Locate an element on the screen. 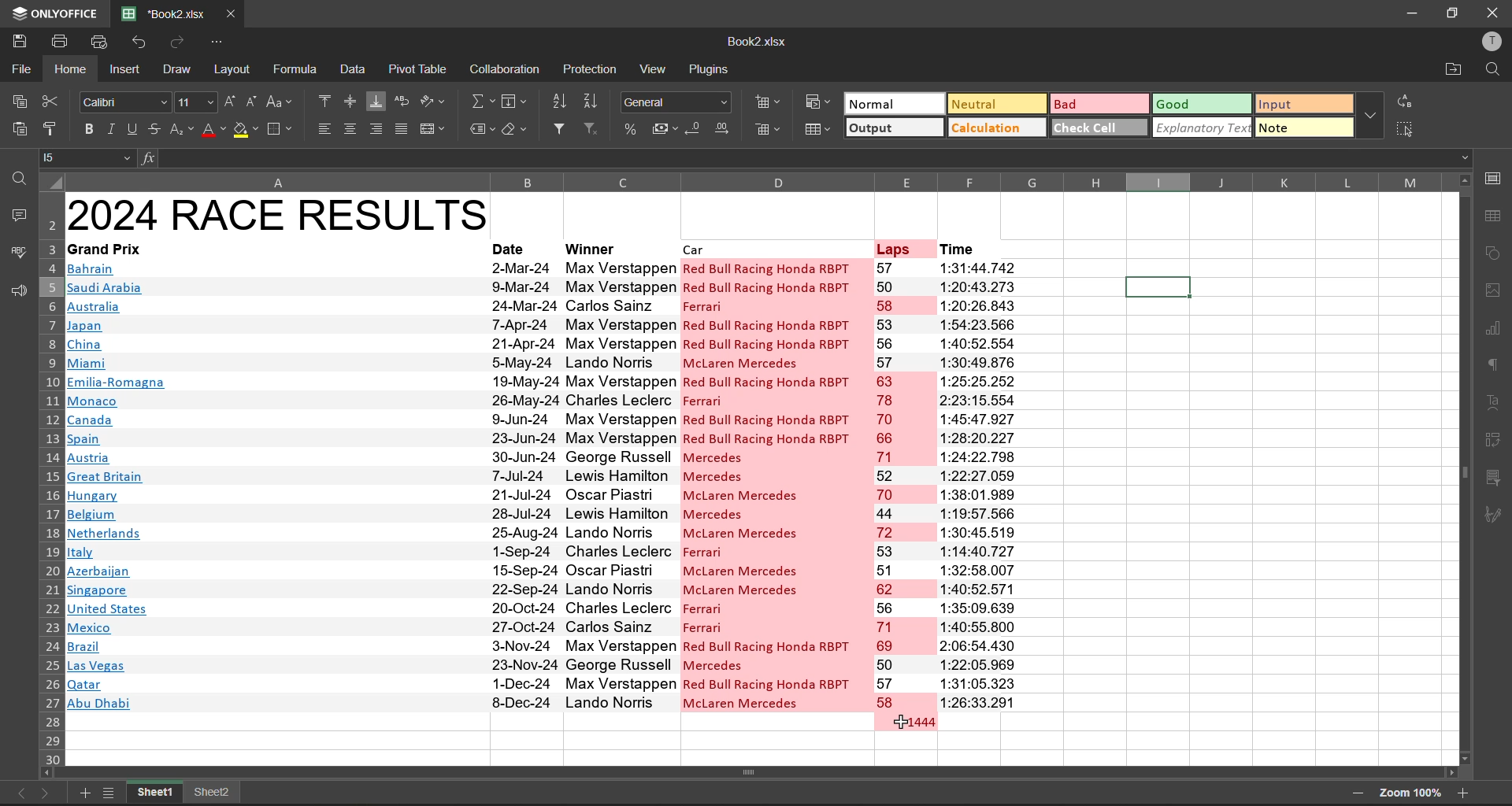 Image resolution: width=1512 pixels, height=806 pixels. merge and center is located at coordinates (435, 130).